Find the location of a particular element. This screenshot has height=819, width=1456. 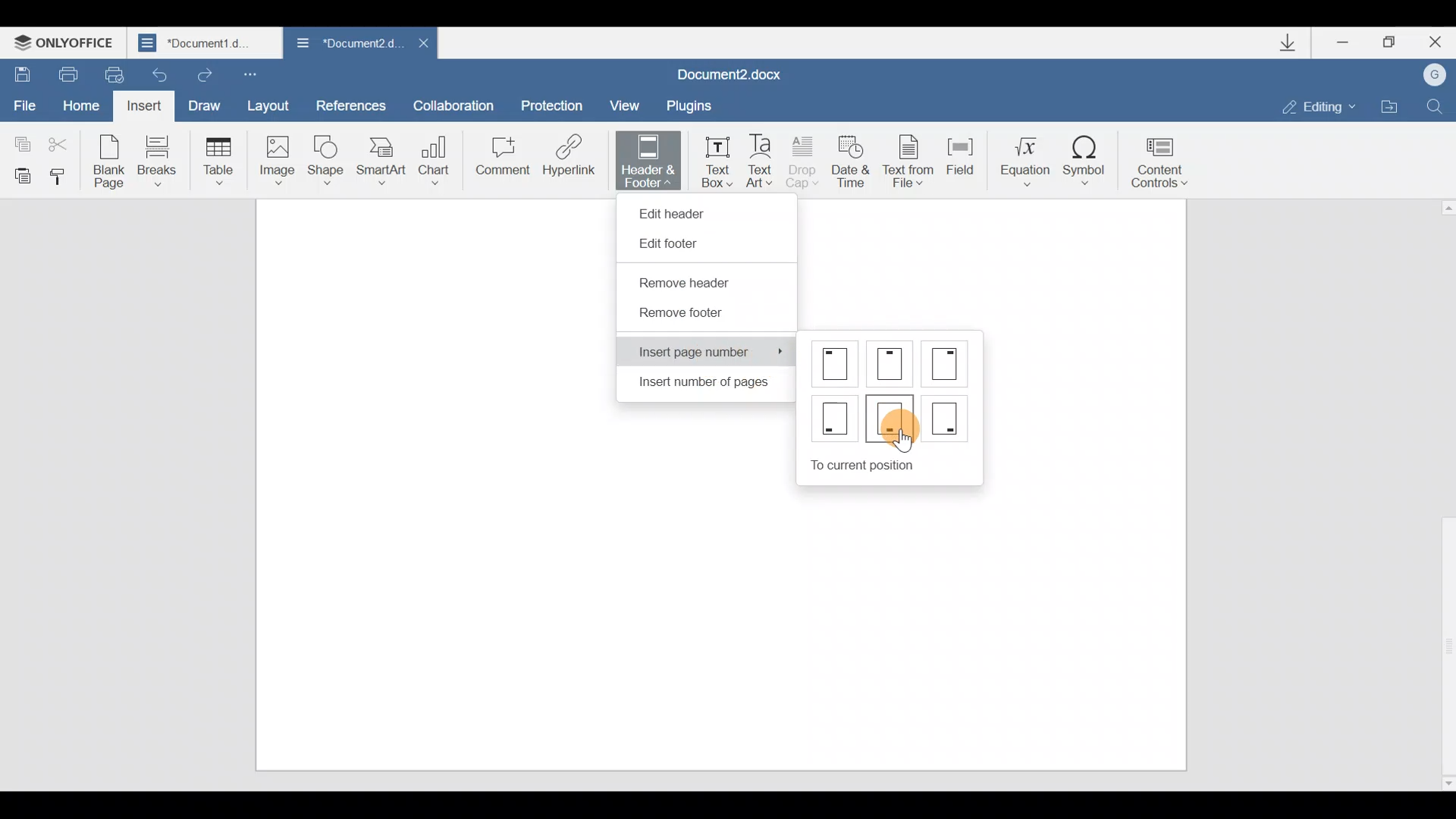

View is located at coordinates (627, 102).